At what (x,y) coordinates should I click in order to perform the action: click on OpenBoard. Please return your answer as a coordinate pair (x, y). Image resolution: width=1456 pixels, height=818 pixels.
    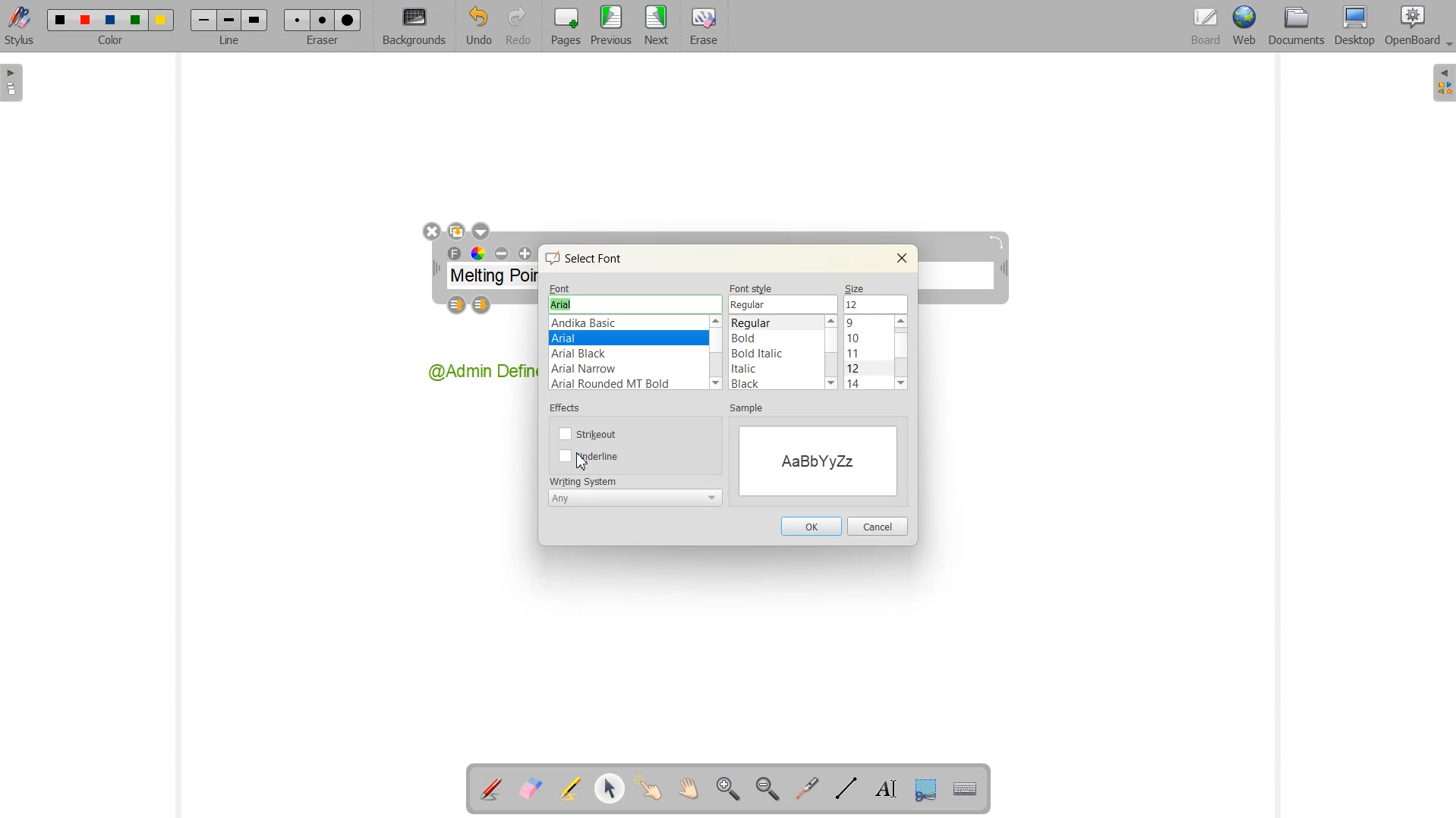
    Looking at the image, I should click on (1411, 27).